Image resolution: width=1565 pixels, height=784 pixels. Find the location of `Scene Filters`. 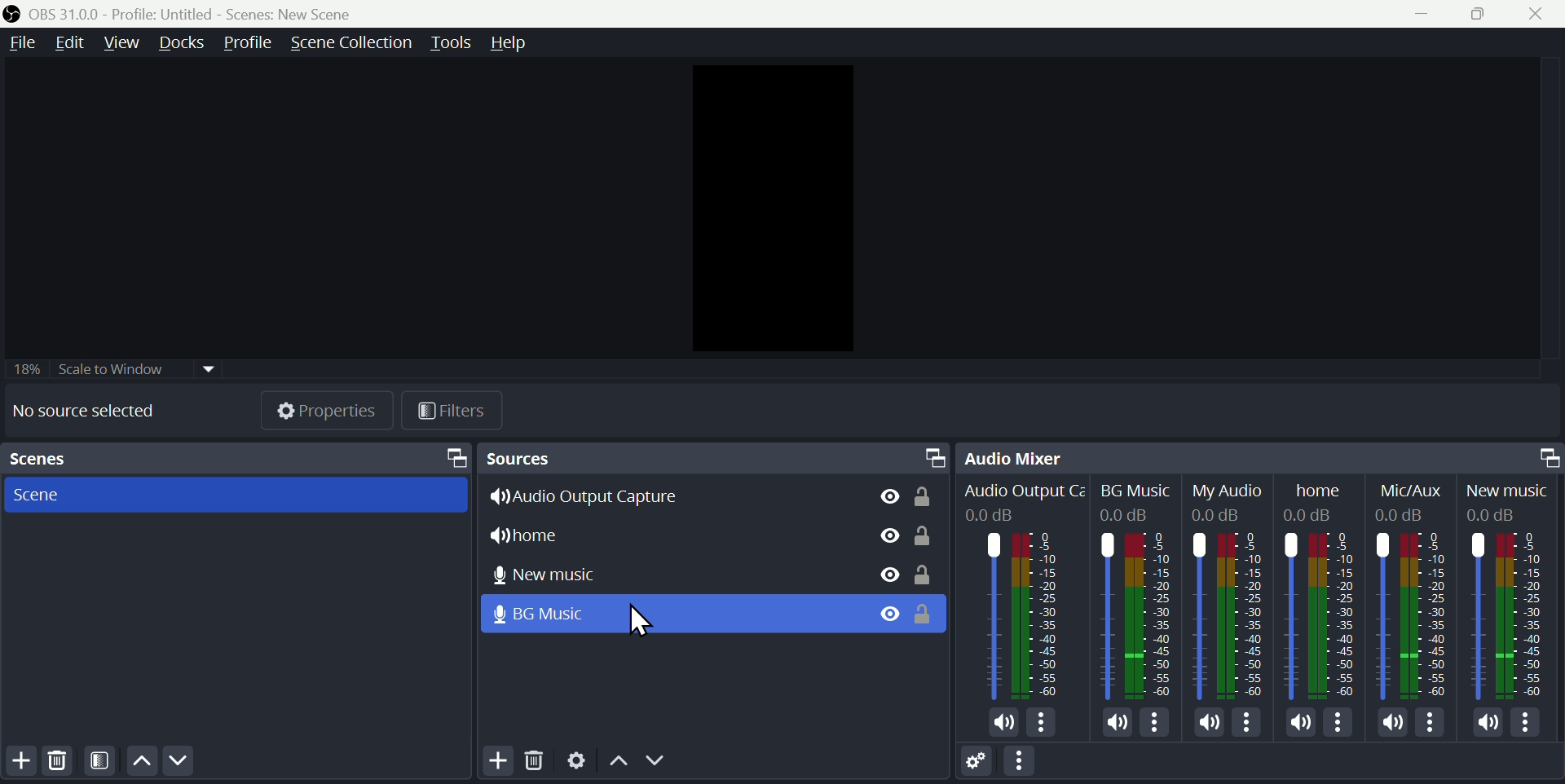

Scene Filters is located at coordinates (105, 762).